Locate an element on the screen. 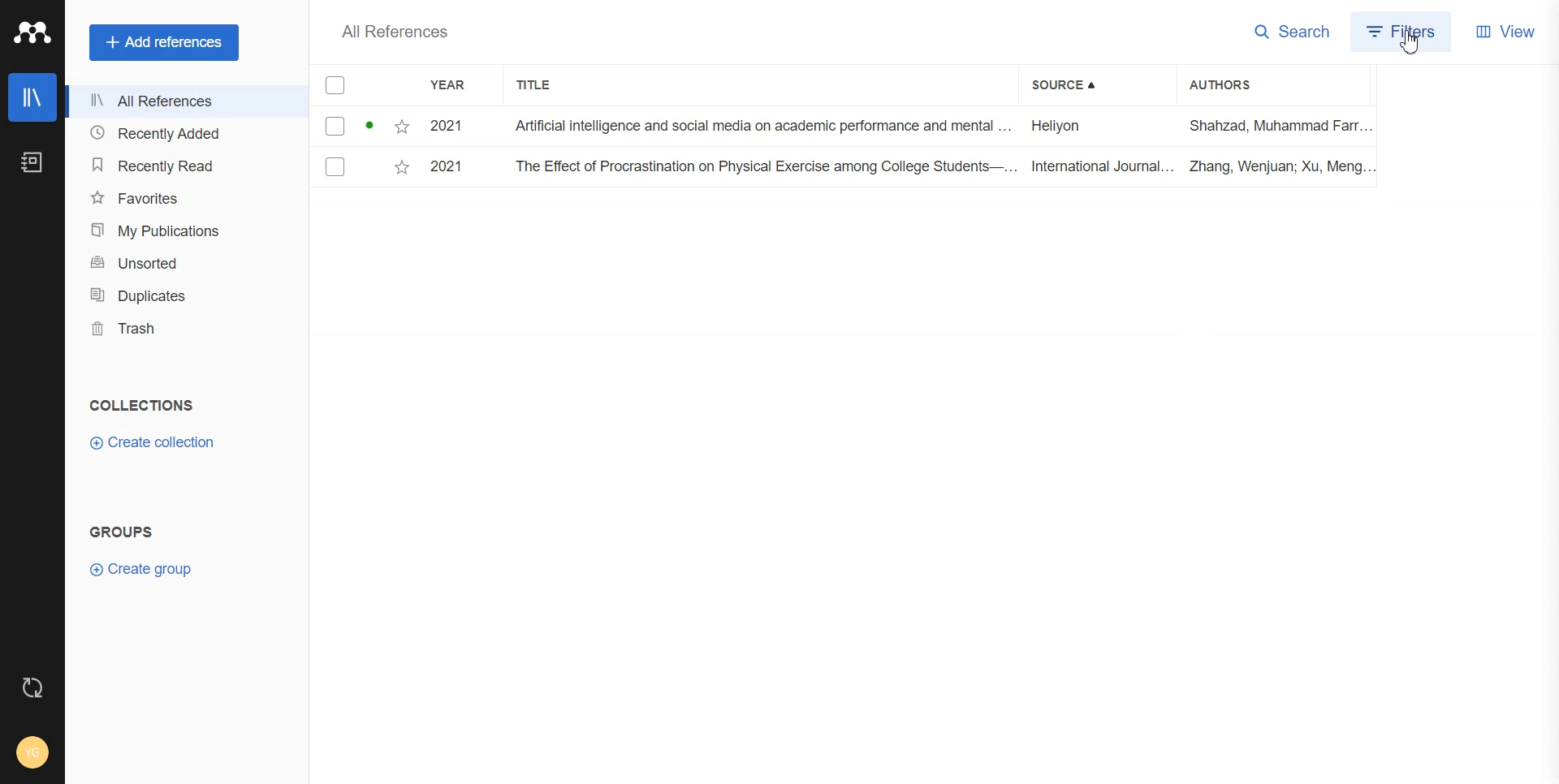 The width and height of the screenshot is (1559, 784). My publications is located at coordinates (177, 231).